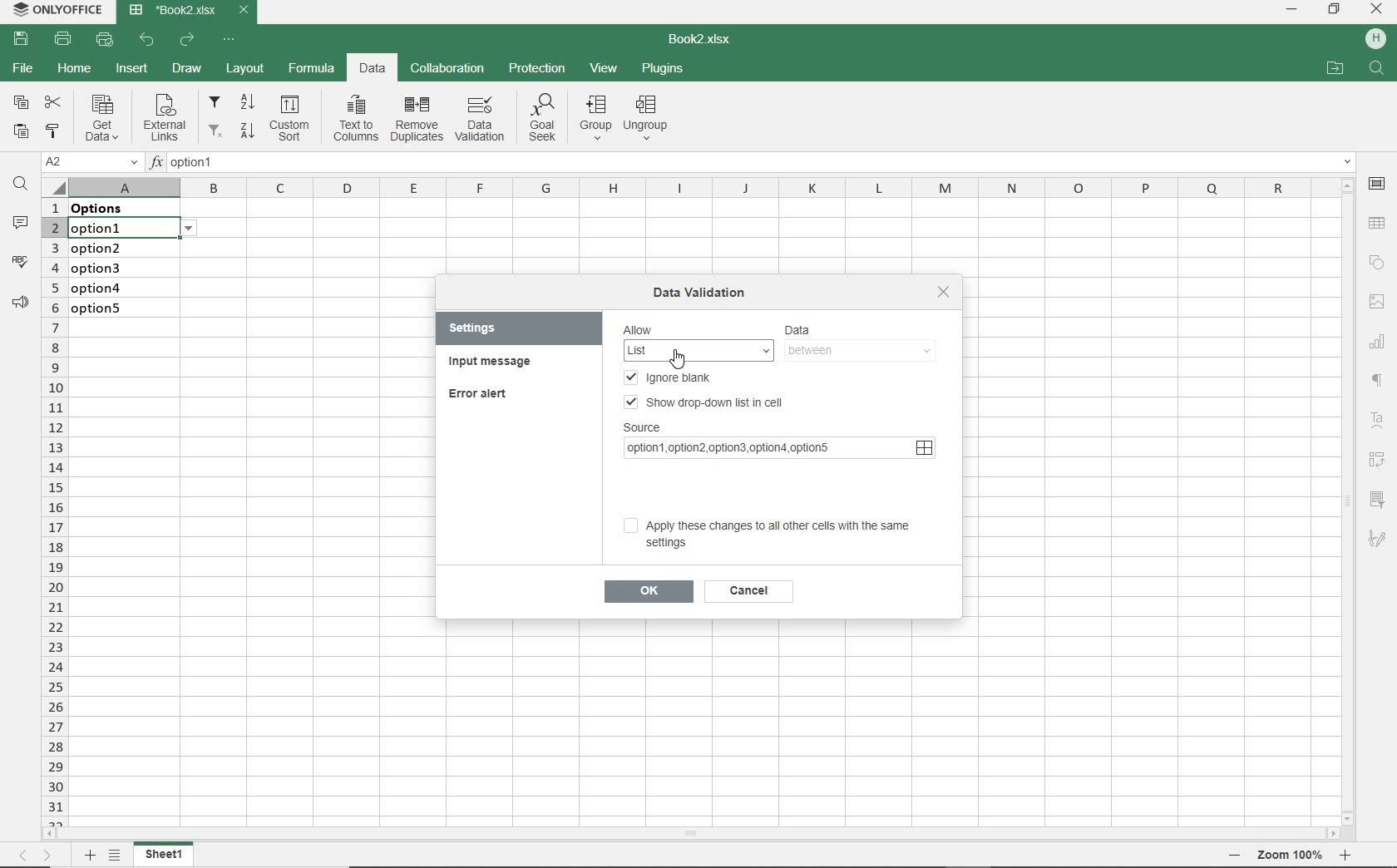 This screenshot has height=868, width=1397. What do you see at coordinates (105, 40) in the screenshot?
I see `QUICK PRINT` at bounding box center [105, 40].